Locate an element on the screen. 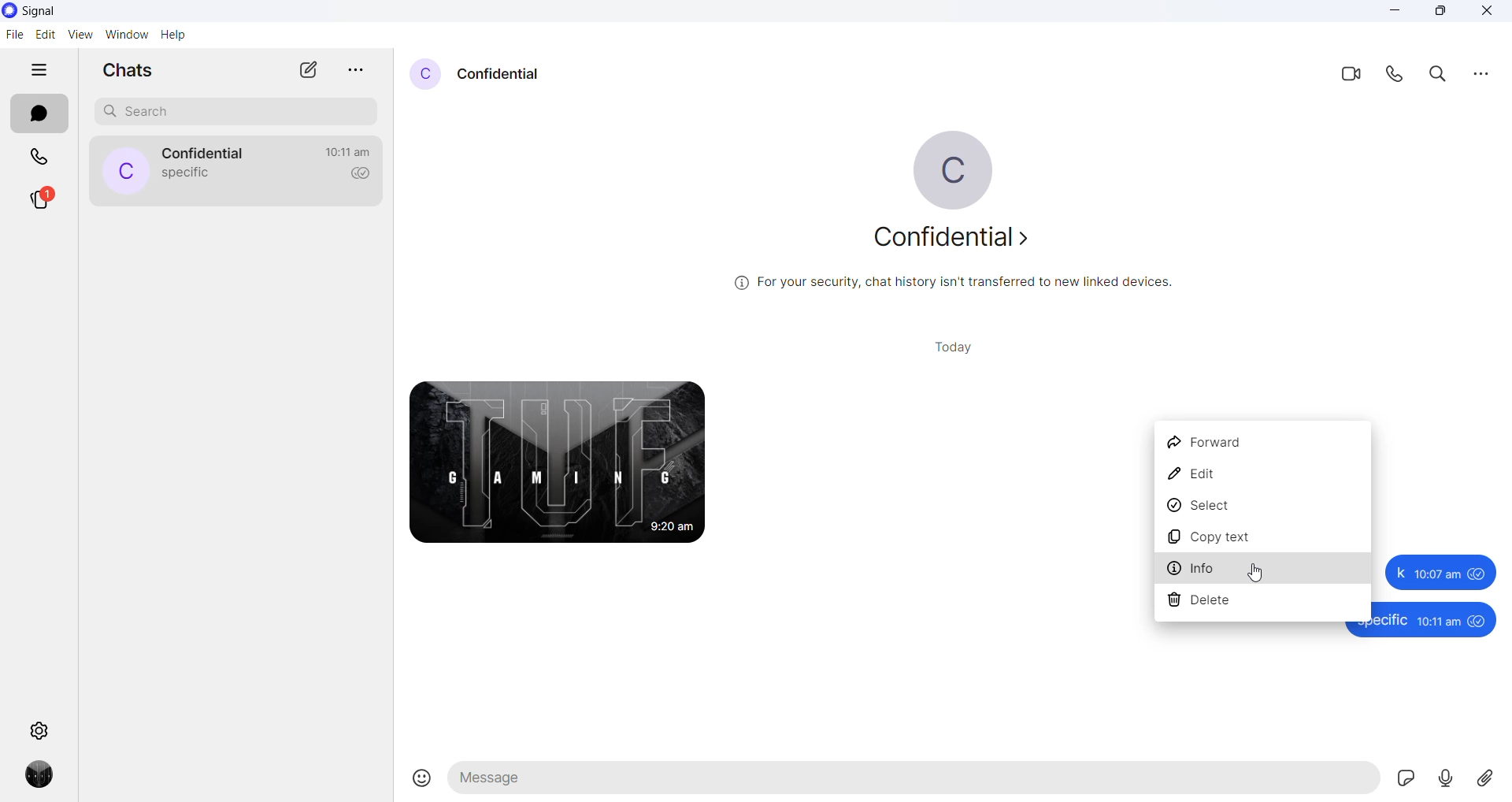 The image size is (1512, 802). 10:11am is located at coordinates (1440, 622).